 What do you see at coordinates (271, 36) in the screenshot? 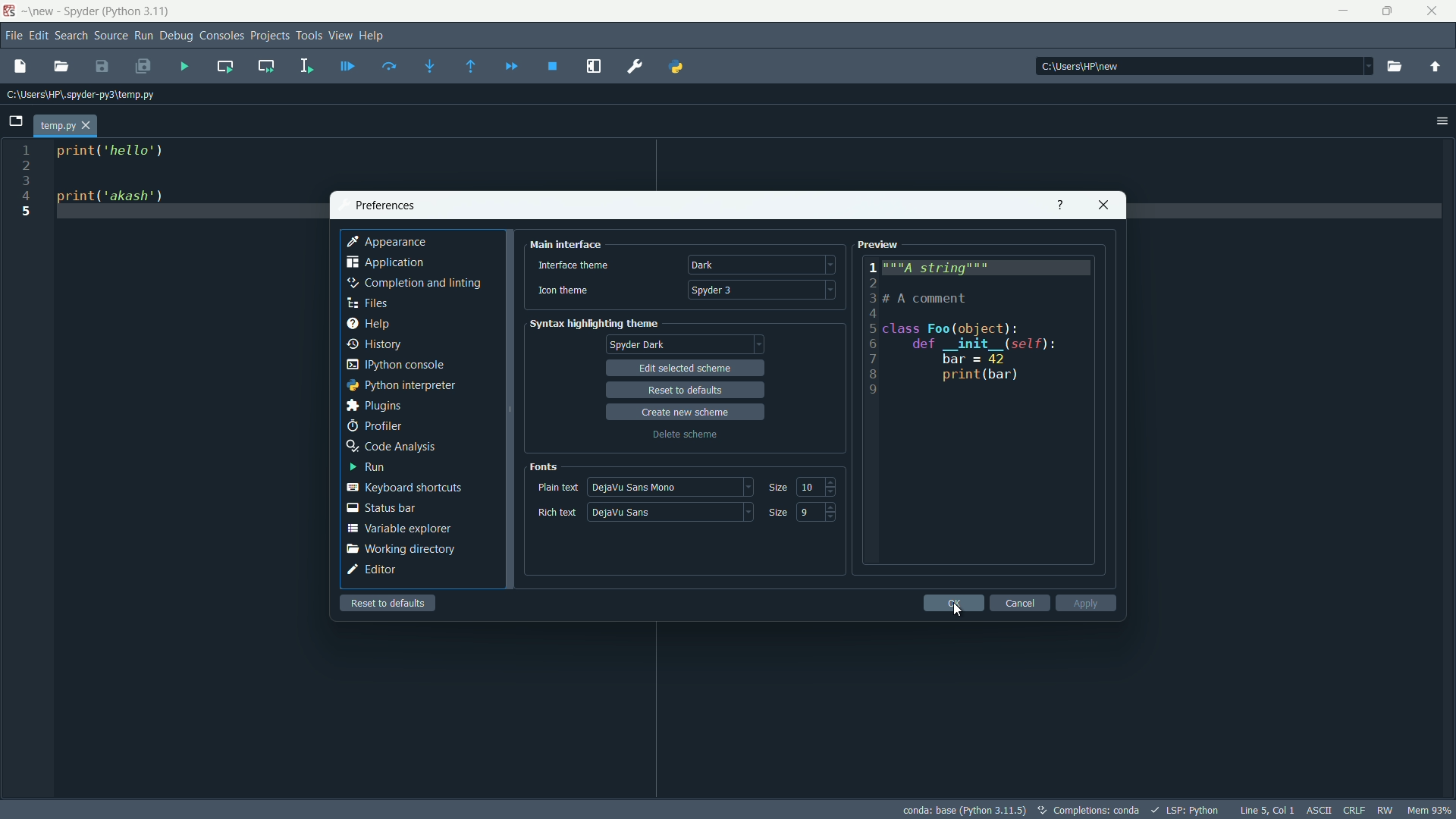
I see `projects menu` at bounding box center [271, 36].